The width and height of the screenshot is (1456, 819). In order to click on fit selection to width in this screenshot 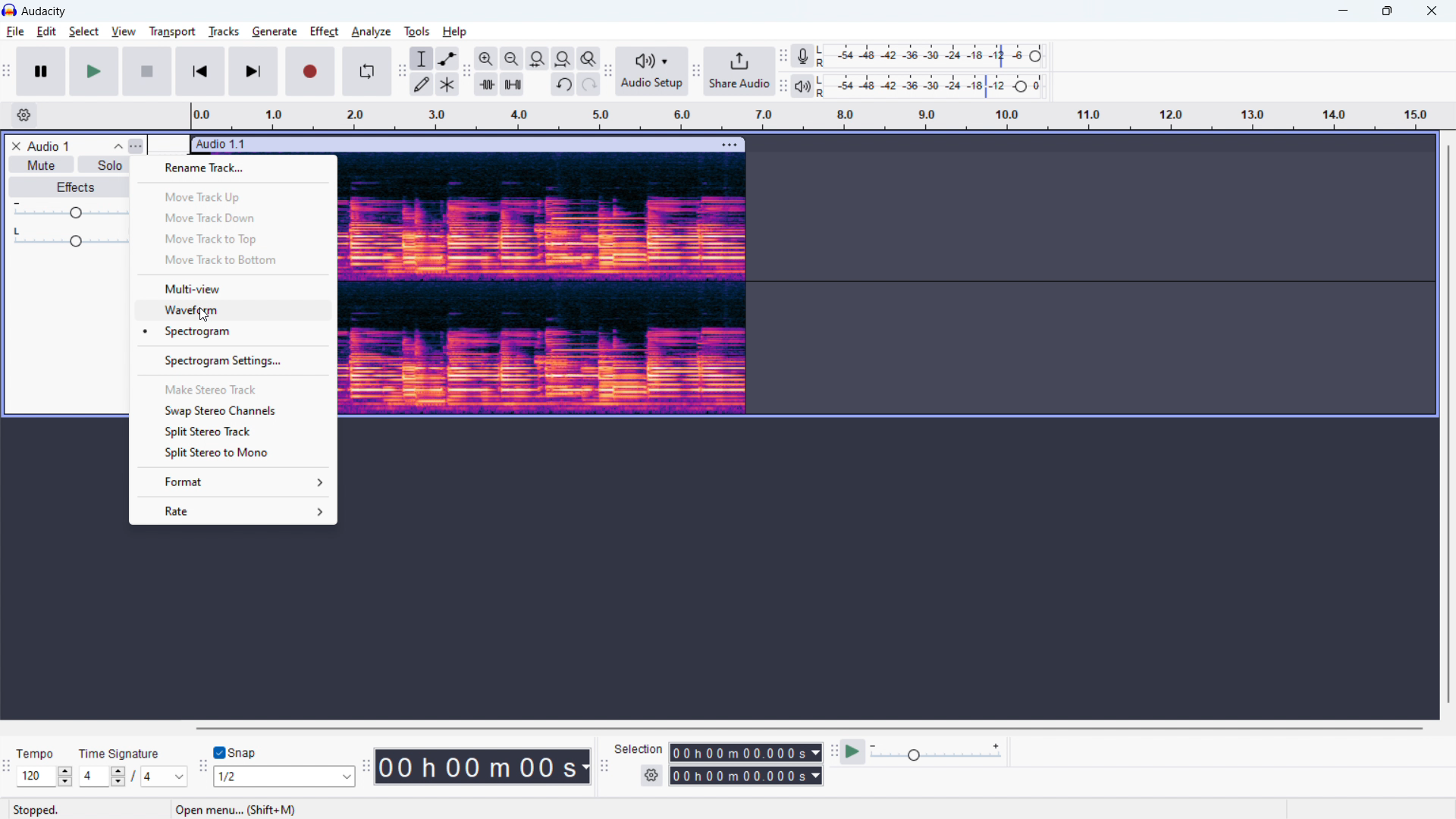, I will do `click(537, 58)`.